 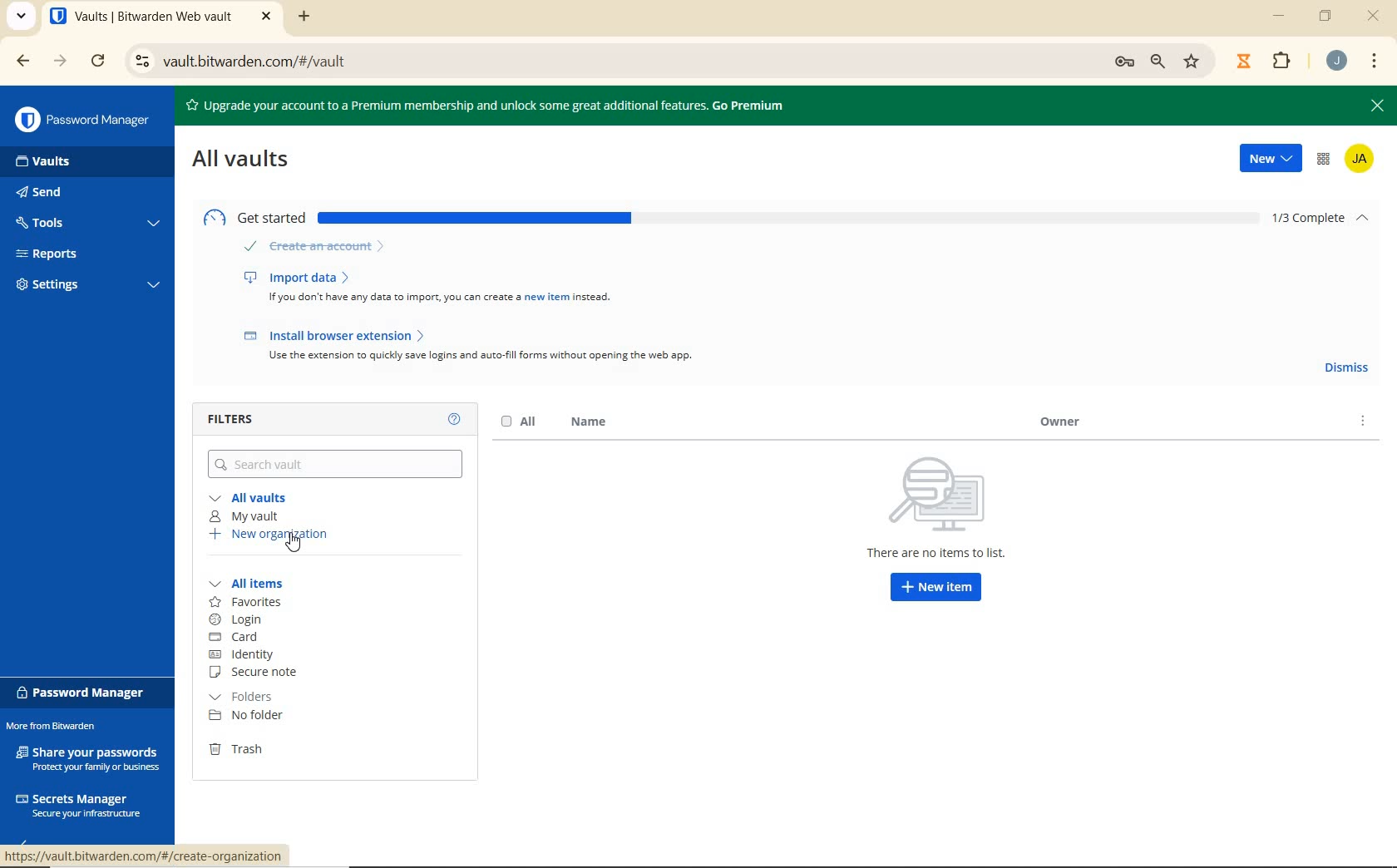 I want to click on create an account, so click(x=316, y=248).